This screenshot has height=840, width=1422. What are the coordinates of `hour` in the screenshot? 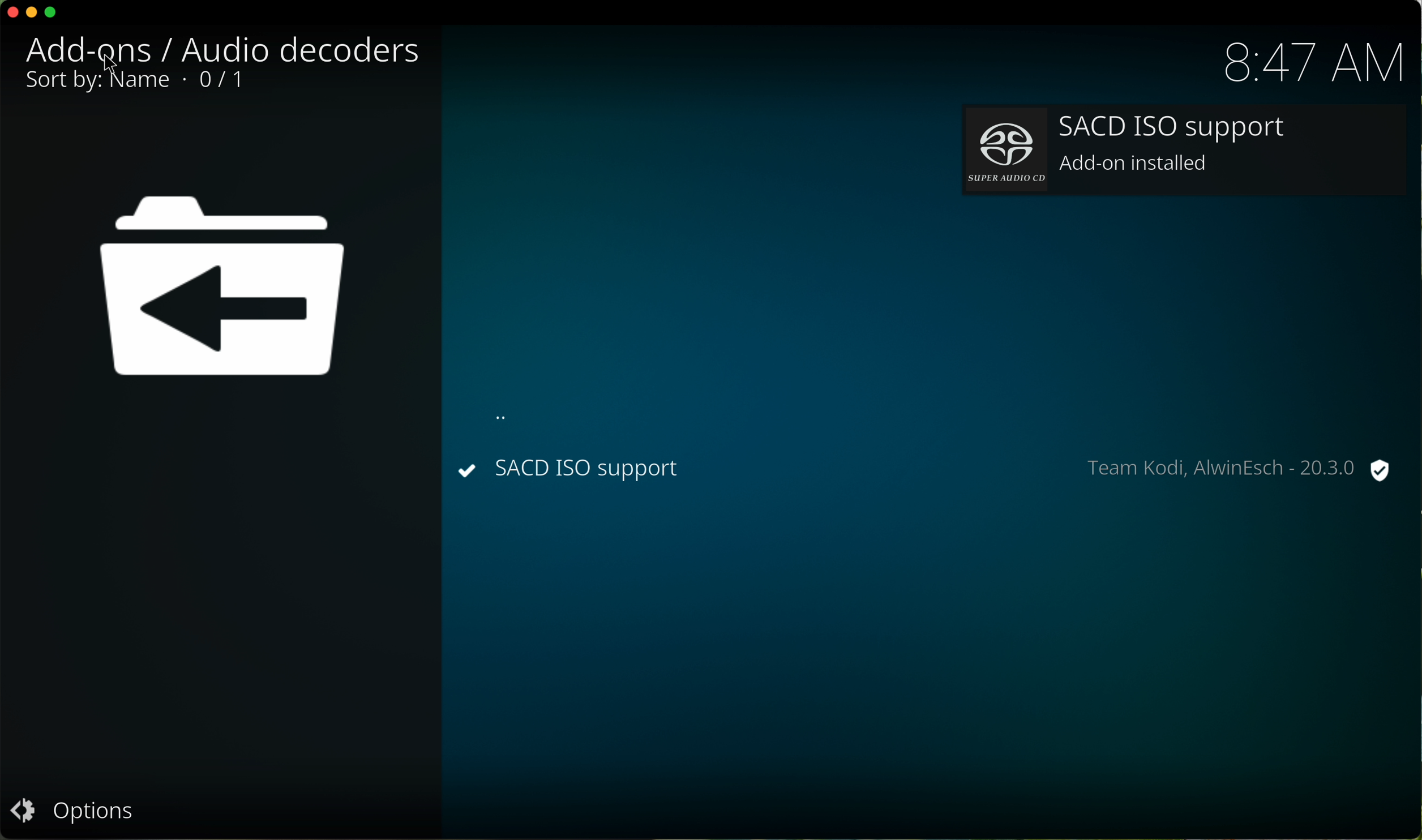 It's located at (1311, 61).